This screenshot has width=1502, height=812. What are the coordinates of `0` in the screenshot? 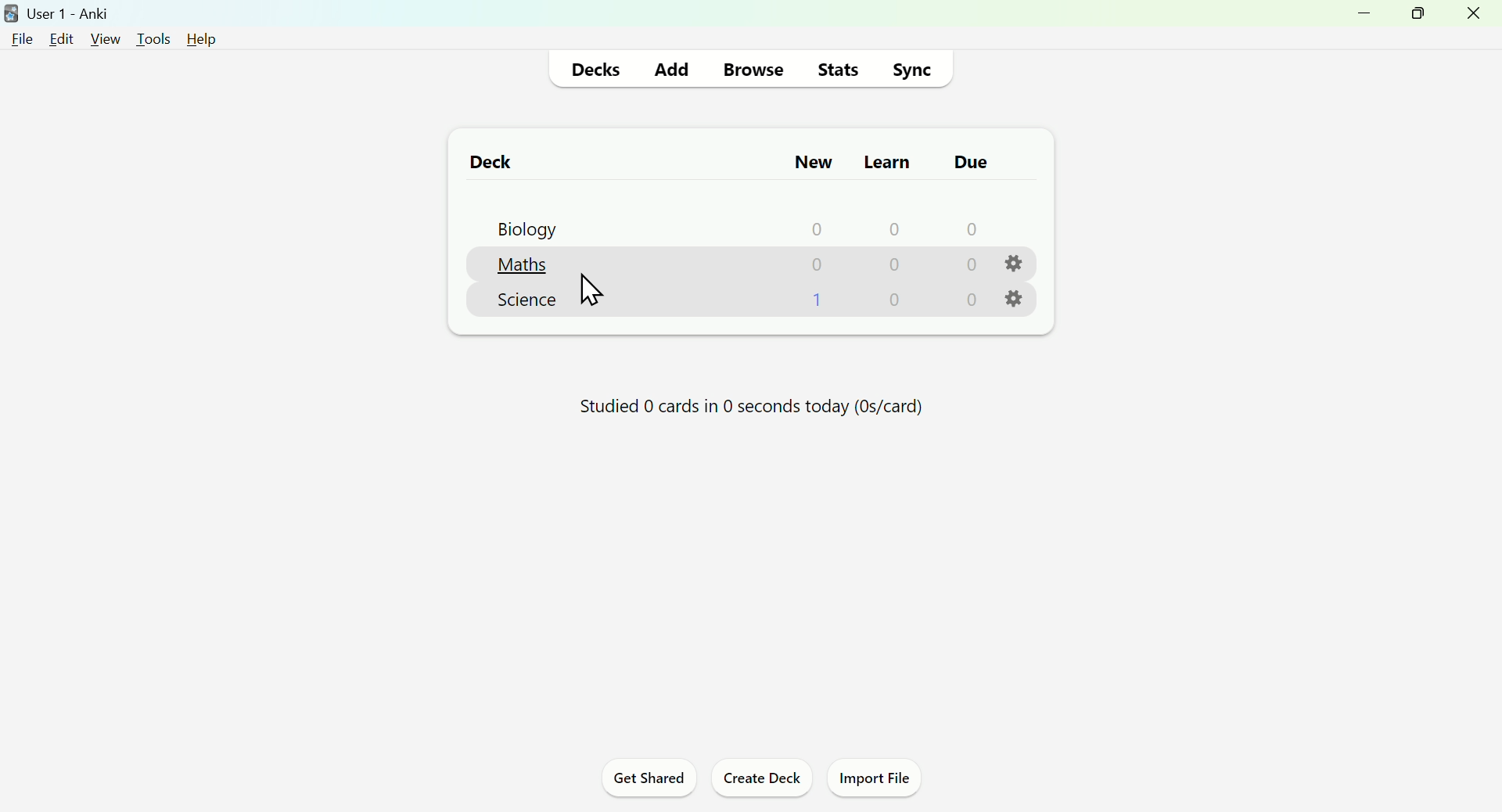 It's located at (893, 268).